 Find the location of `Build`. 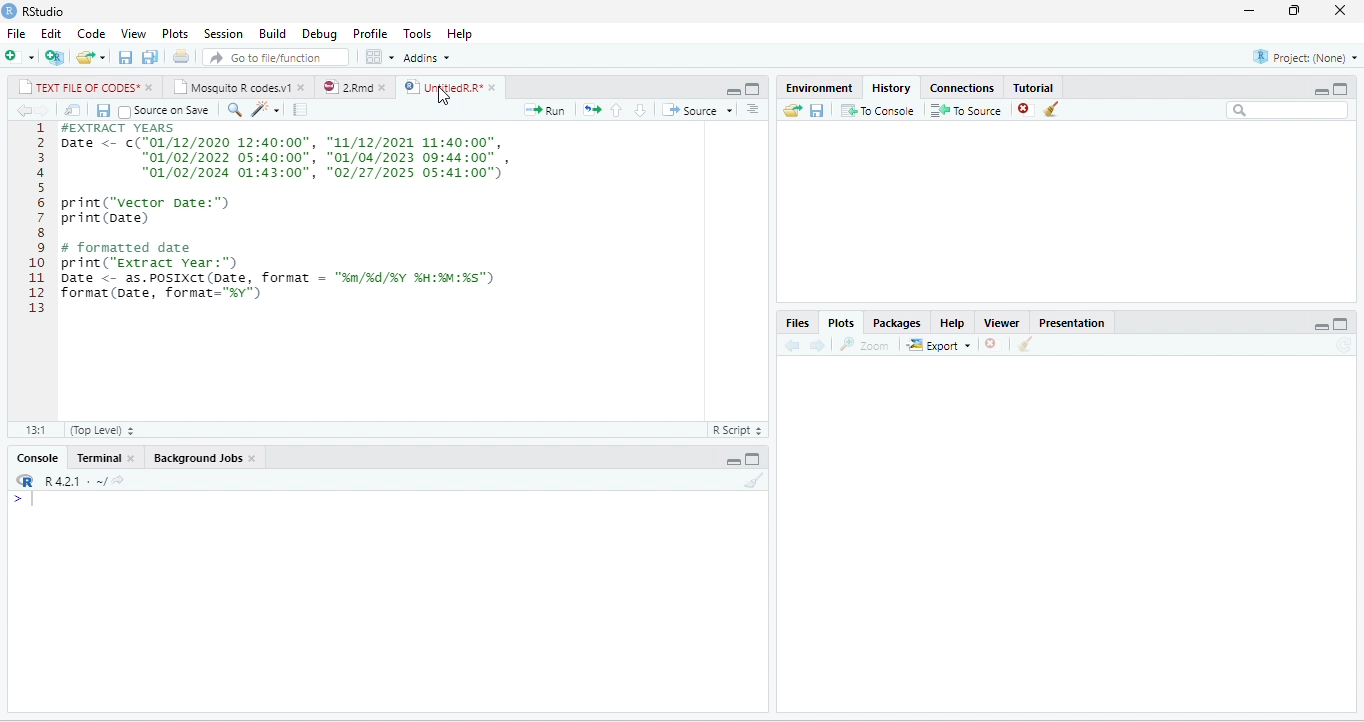

Build is located at coordinates (273, 34).